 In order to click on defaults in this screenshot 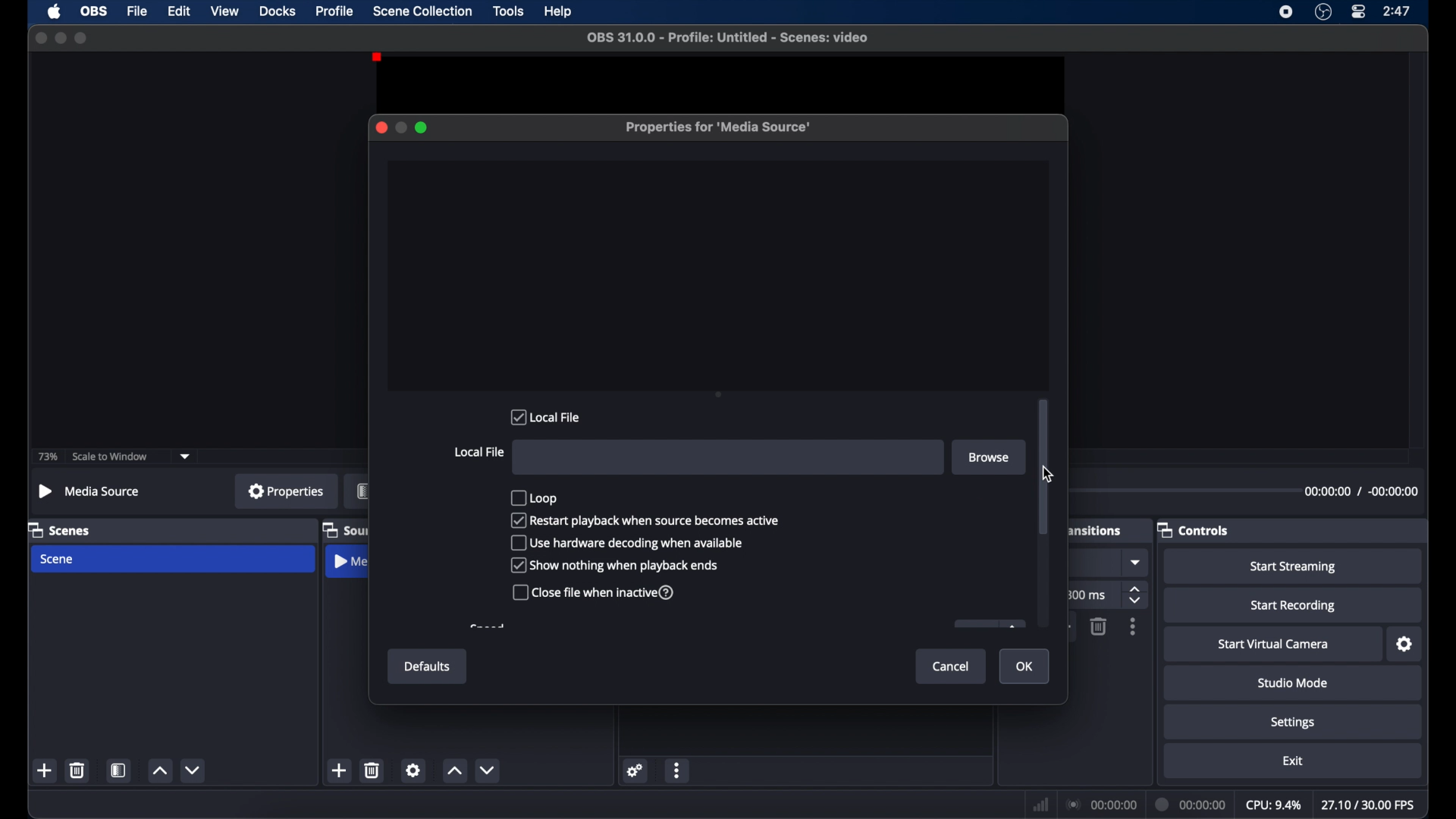, I will do `click(428, 667)`.